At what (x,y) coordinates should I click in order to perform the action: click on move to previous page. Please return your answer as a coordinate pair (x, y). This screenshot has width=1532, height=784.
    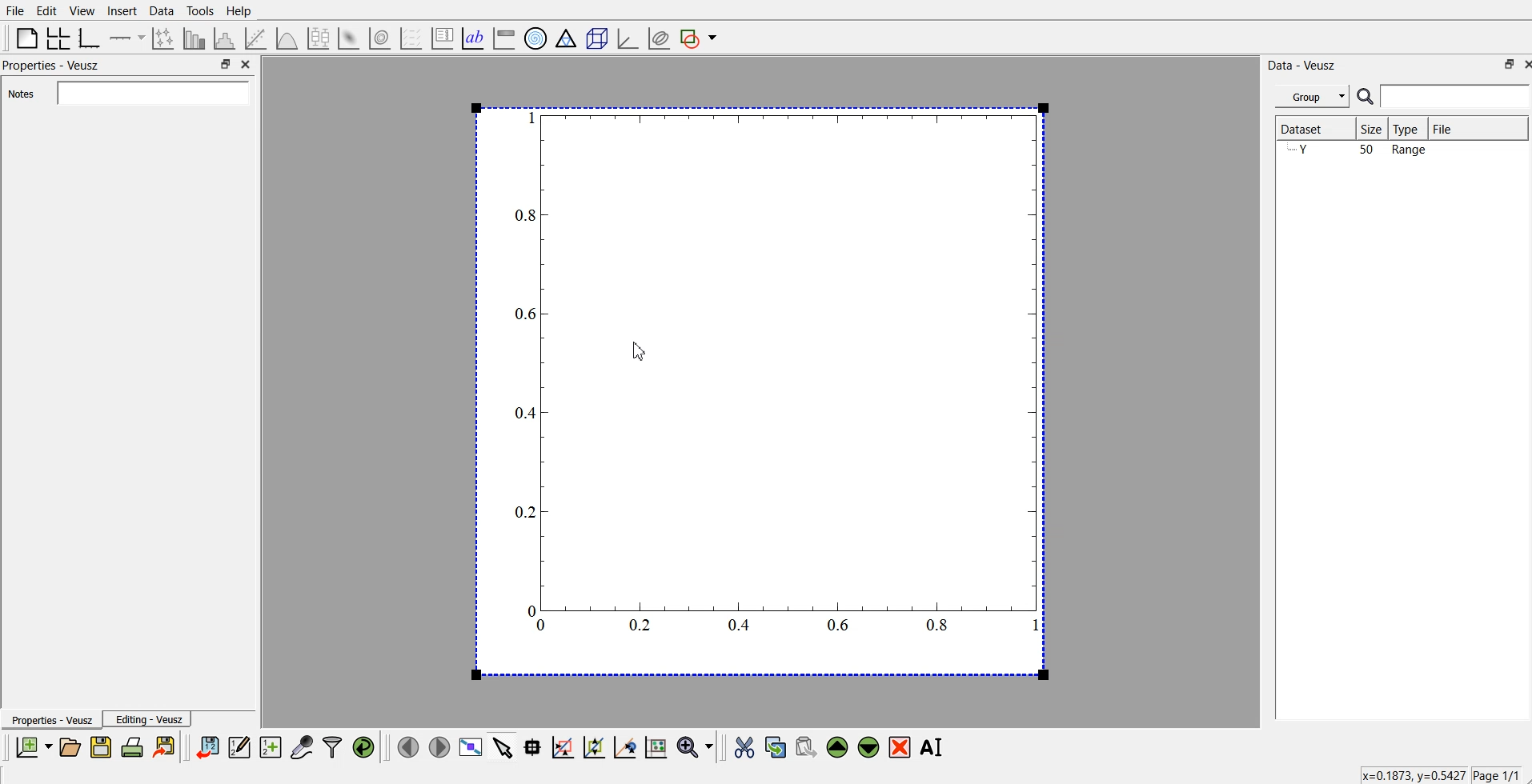
    Looking at the image, I should click on (409, 746).